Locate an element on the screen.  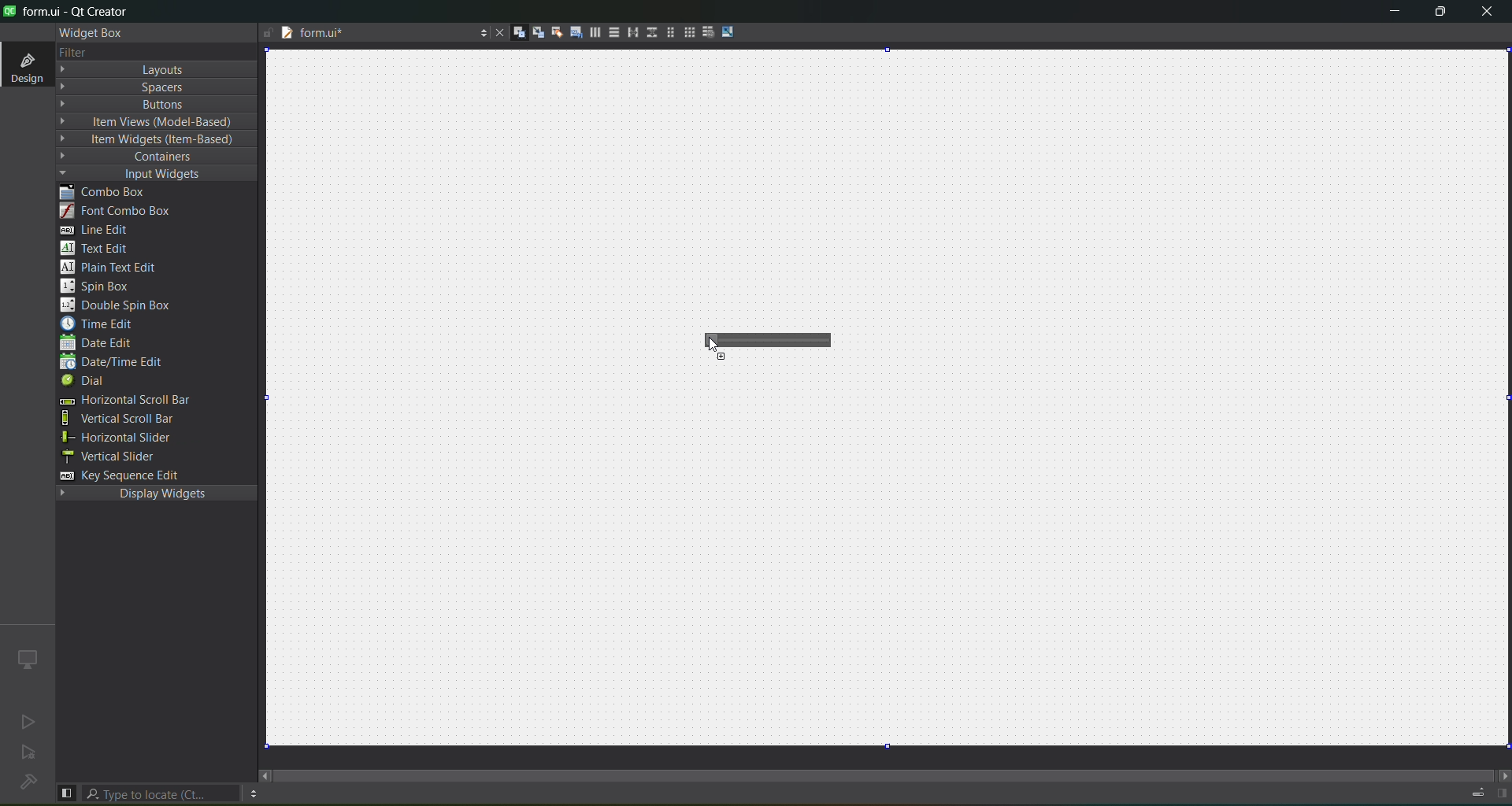
plain text edit is located at coordinates (116, 269).